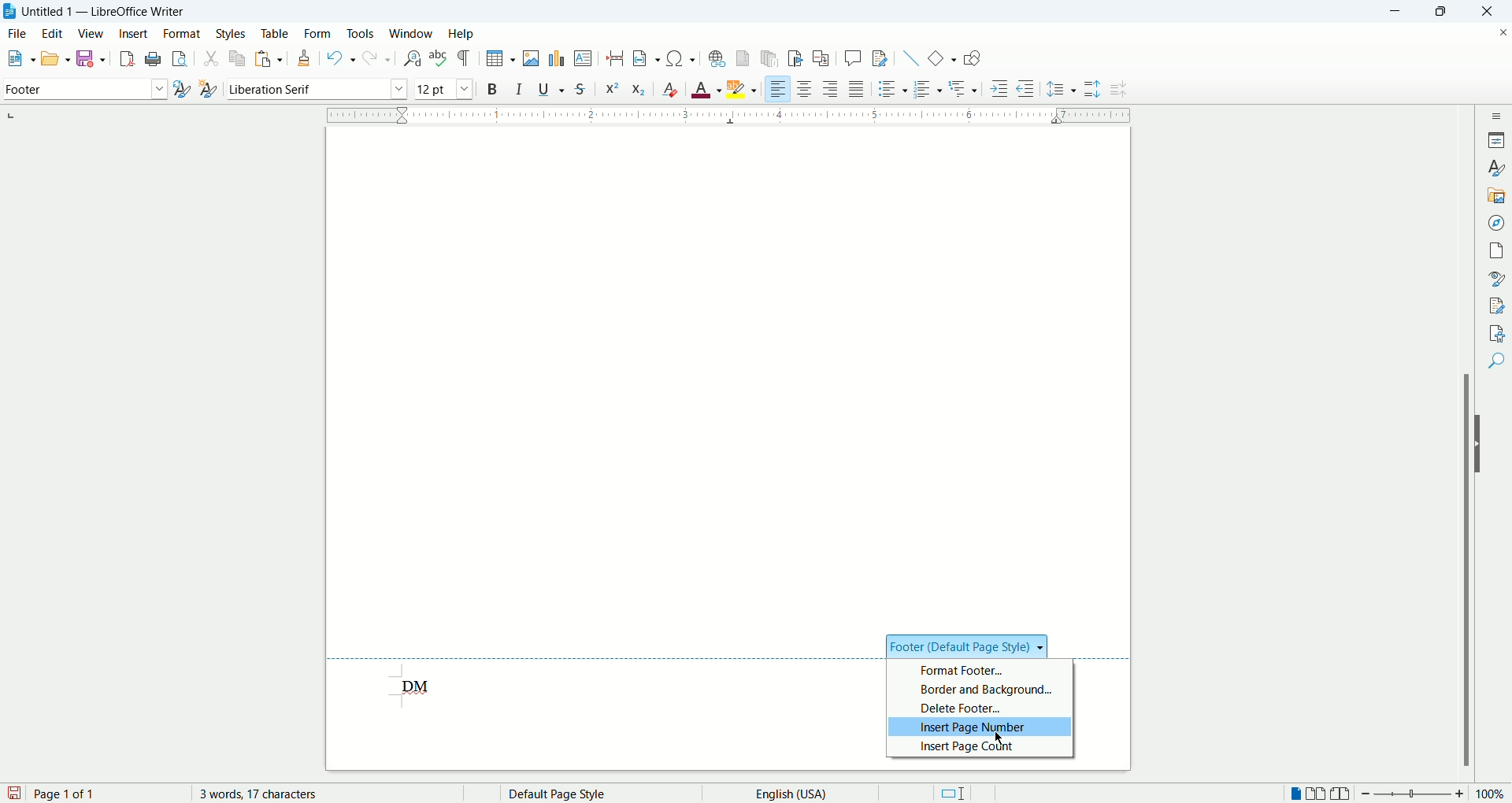 This screenshot has width=1512, height=803. I want to click on decrease indent, so click(1025, 88).